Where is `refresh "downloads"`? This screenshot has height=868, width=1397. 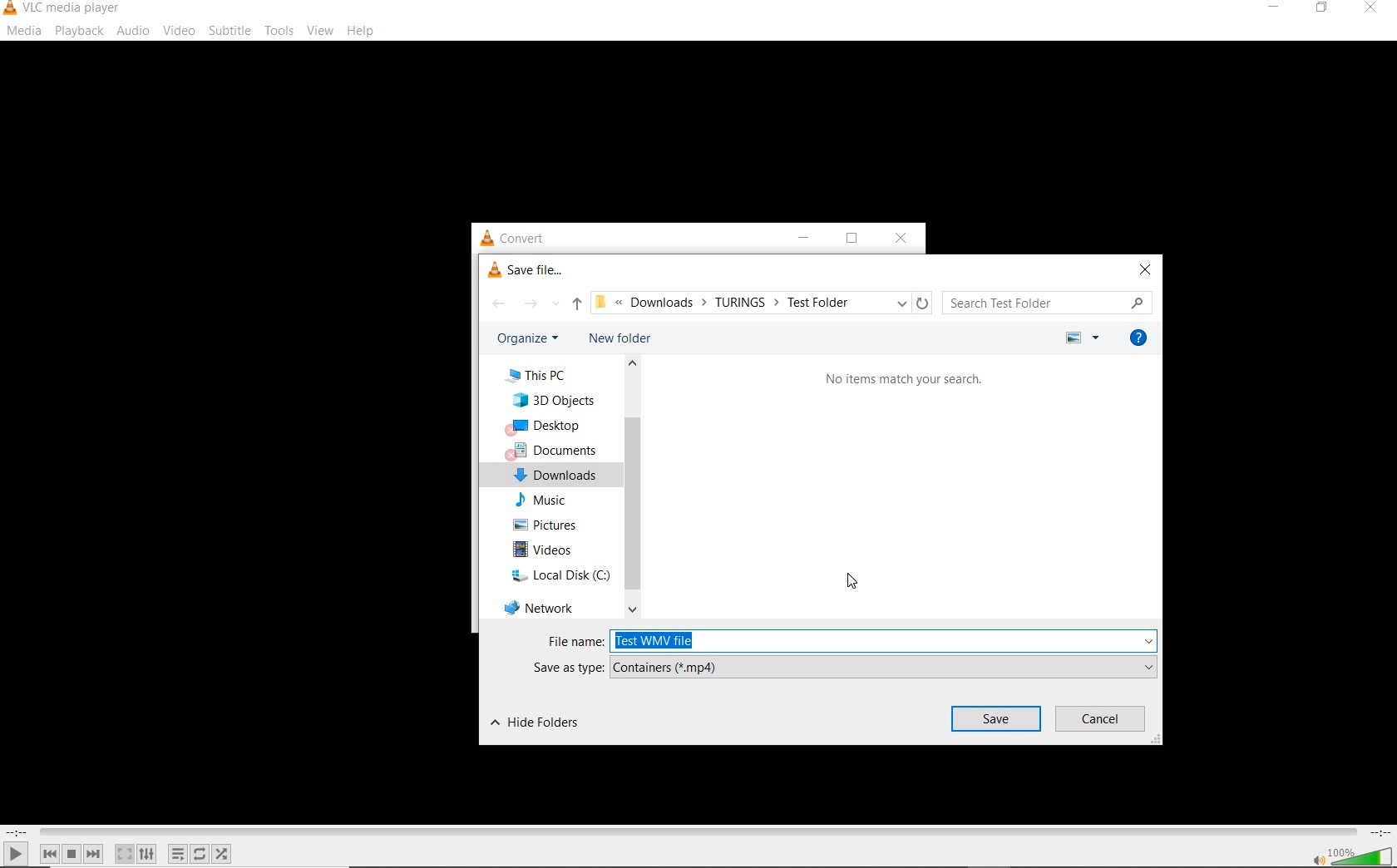 refresh "downloads" is located at coordinates (923, 303).